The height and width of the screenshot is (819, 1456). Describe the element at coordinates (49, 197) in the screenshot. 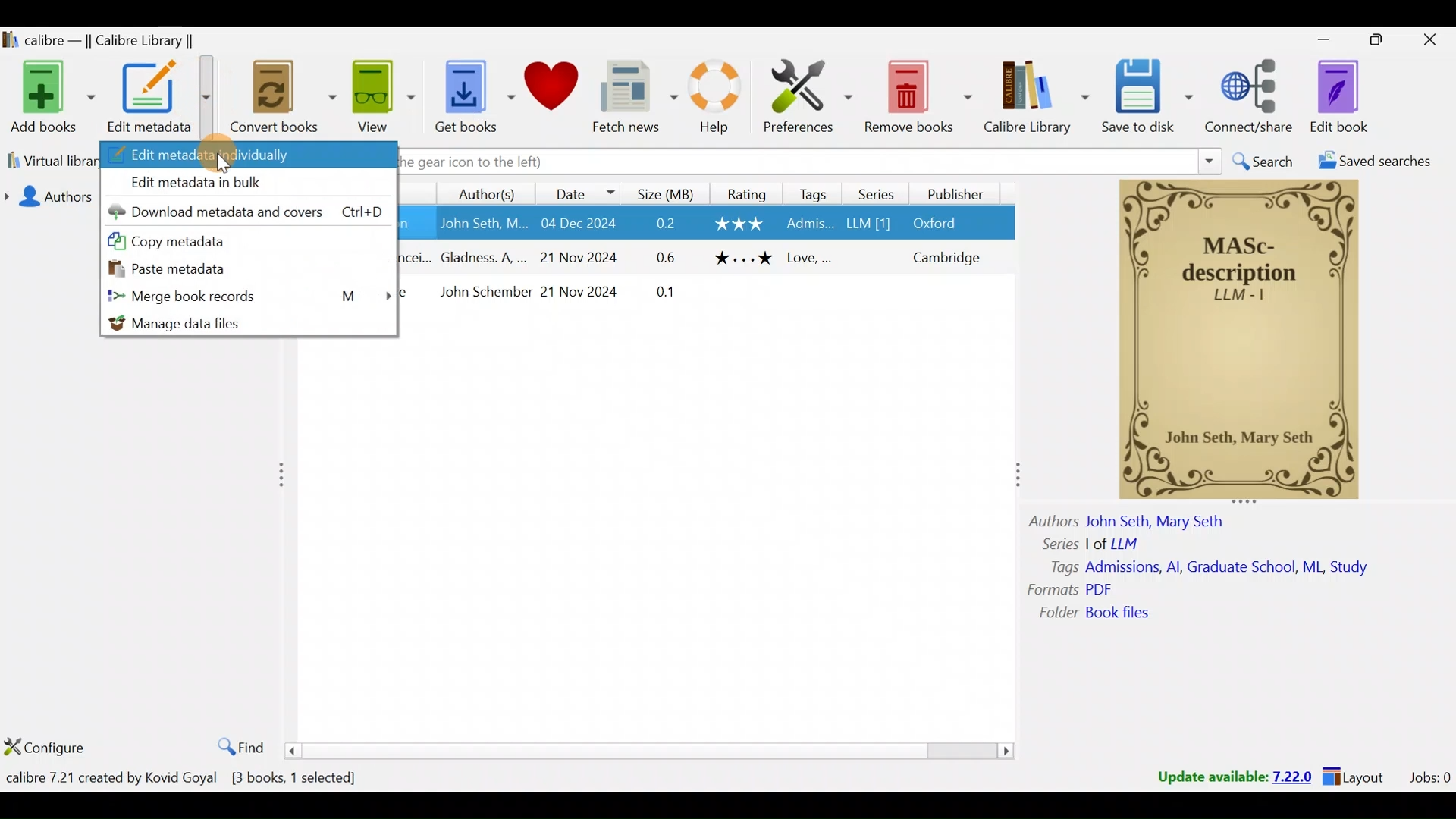

I see `Authors` at that location.